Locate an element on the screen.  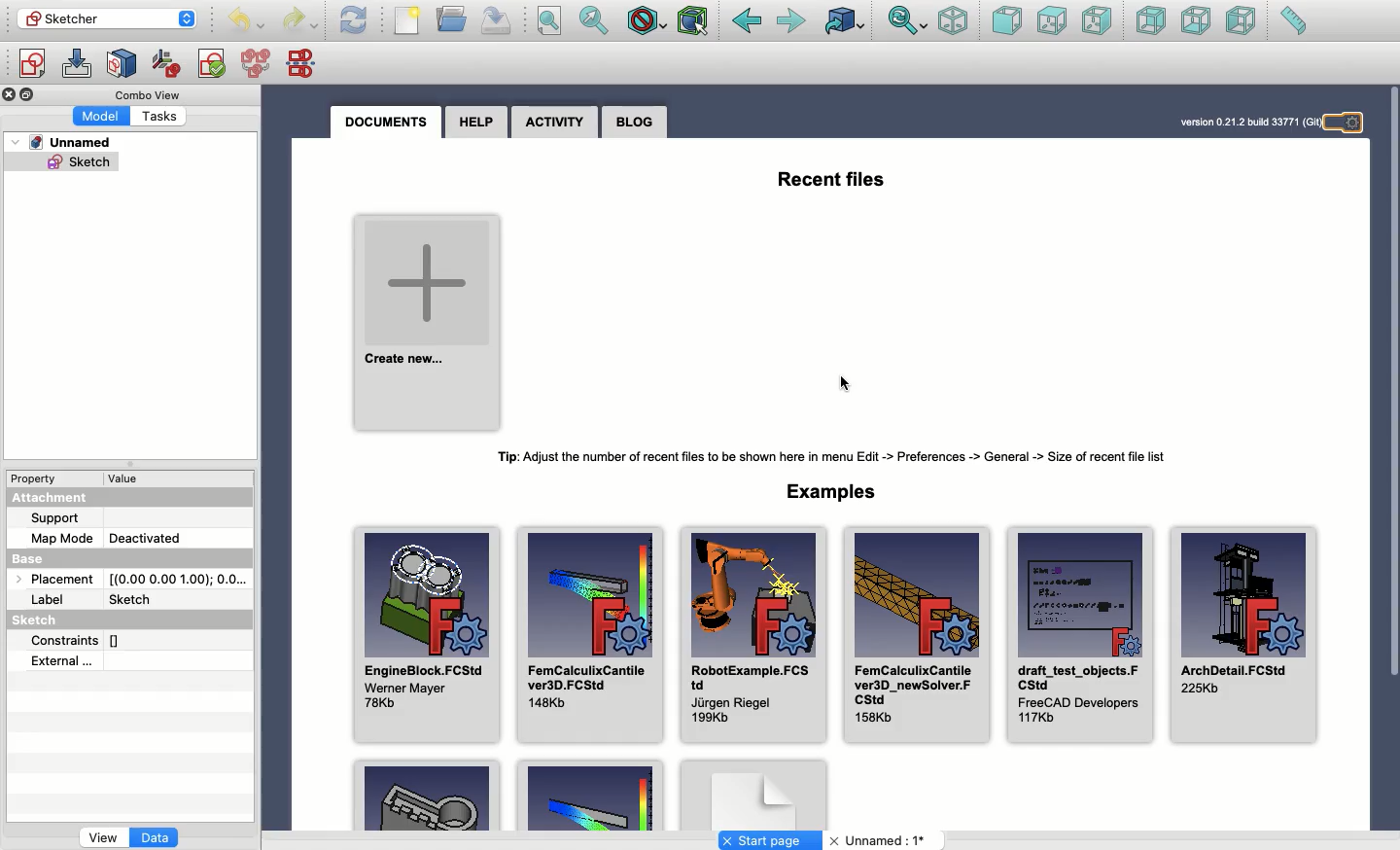
Refresh is located at coordinates (354, 20).